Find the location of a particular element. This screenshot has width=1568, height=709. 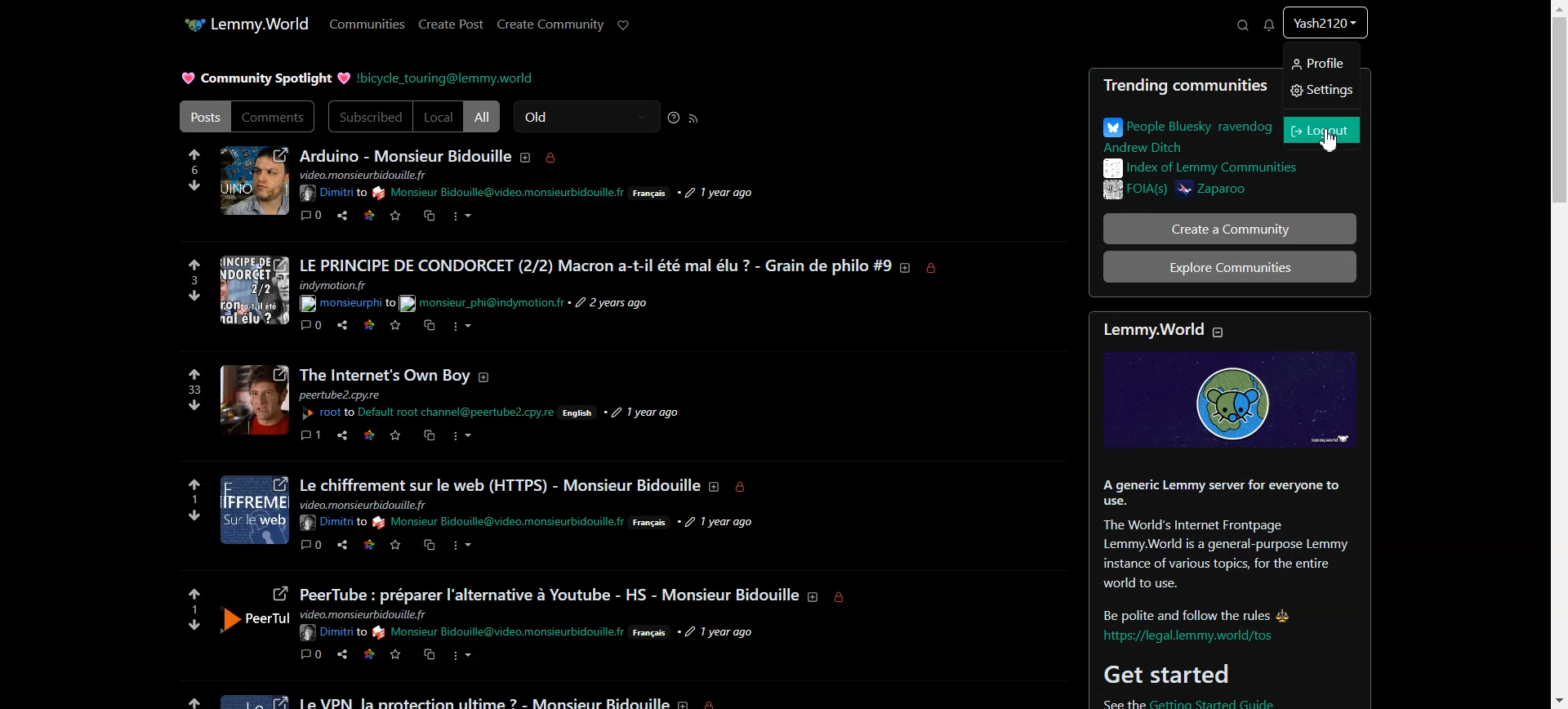

downvotes is located at coordinates (184, 625).